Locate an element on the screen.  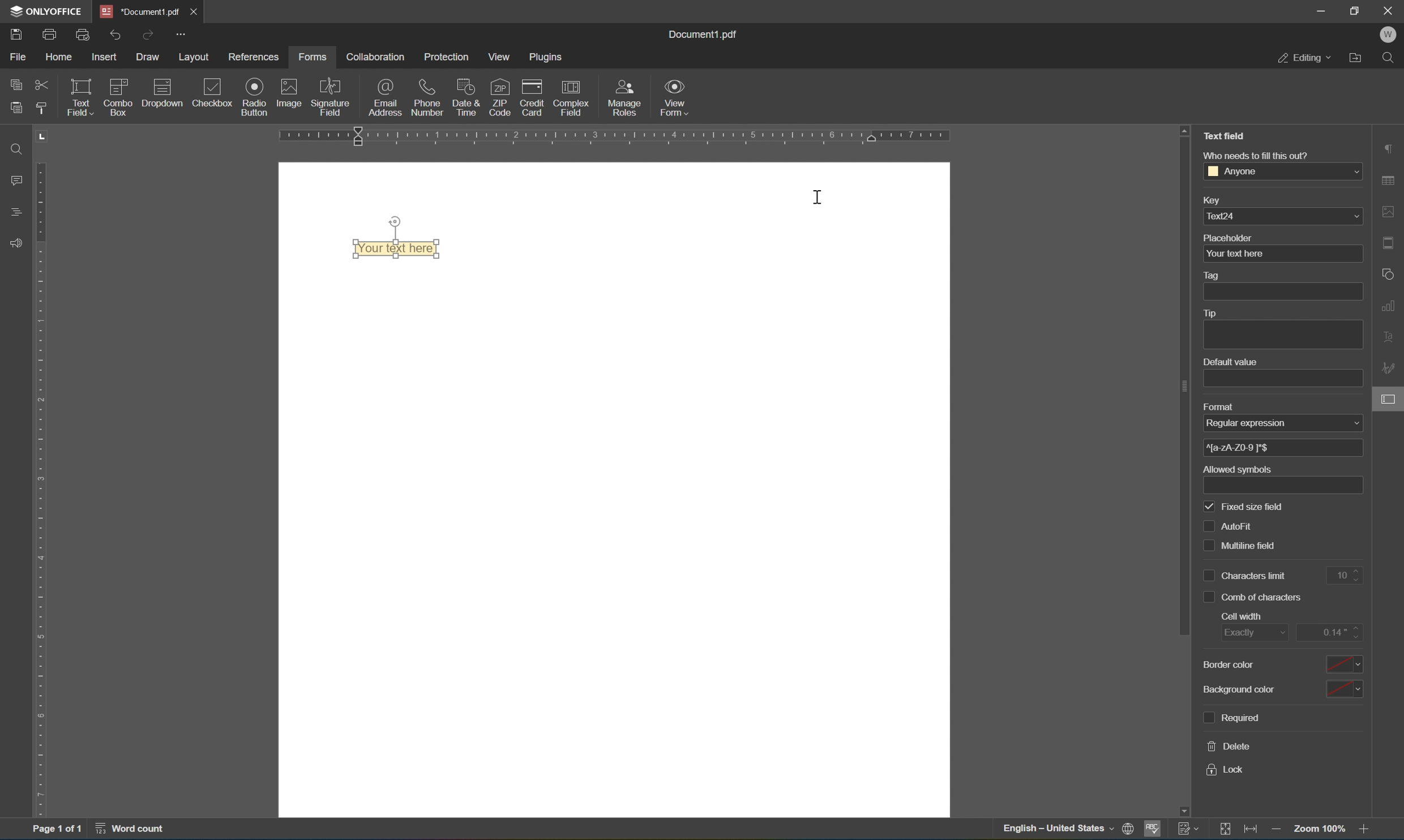
restore down is located at coordinates (1356, 10).